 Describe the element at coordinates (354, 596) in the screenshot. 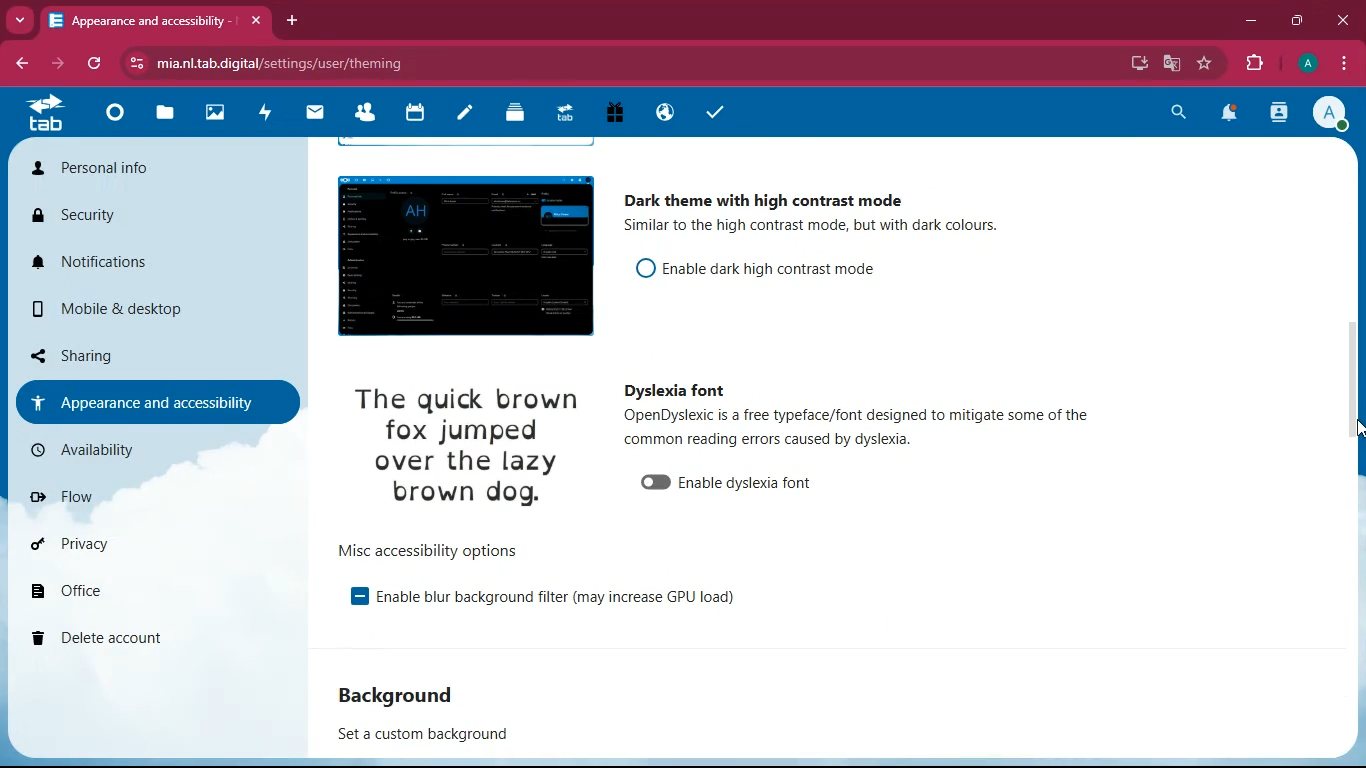

I see `enable` at that location.